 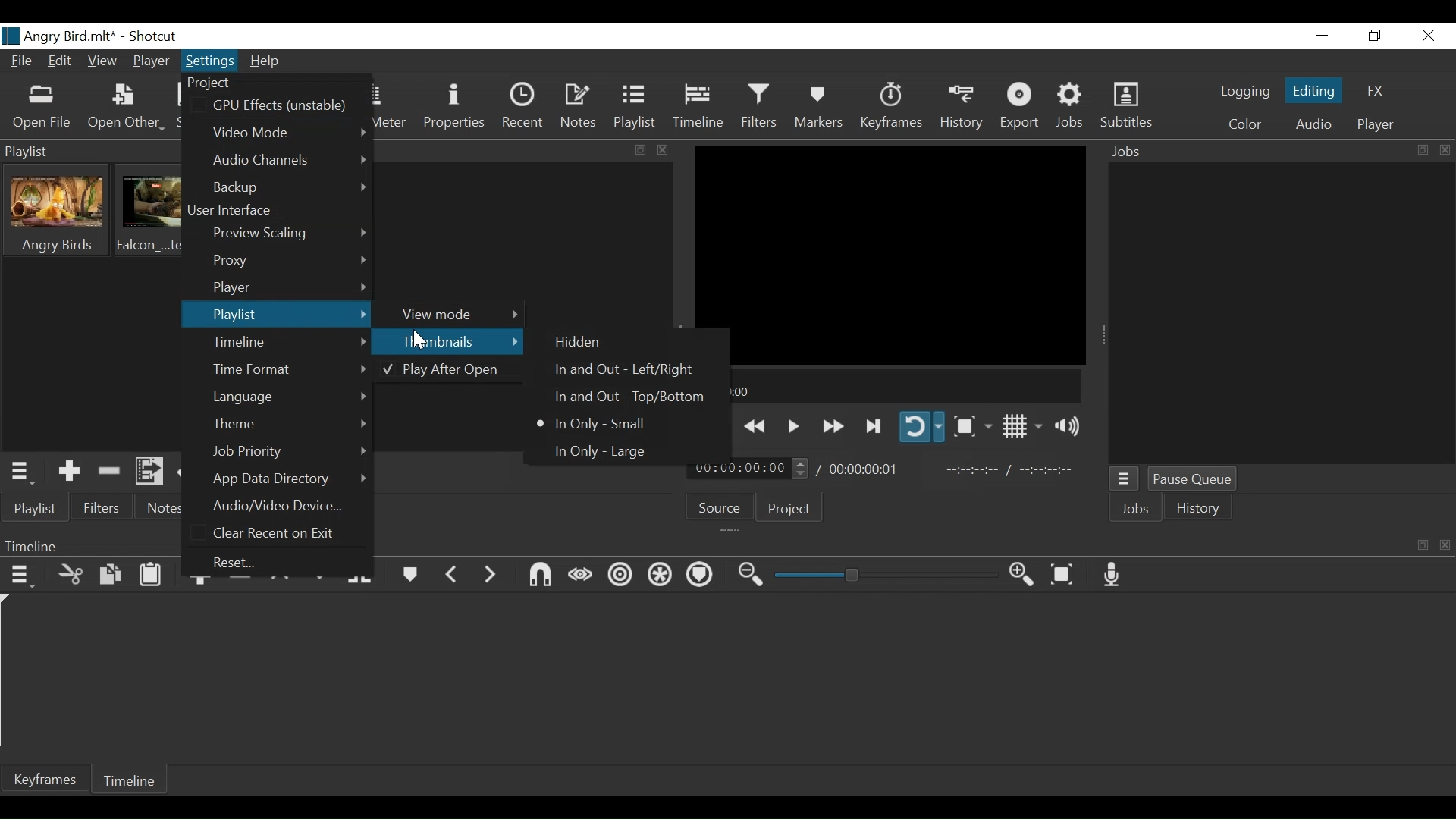 What do you see at coordinates (288, 262) in the screenshot?
I see `Proxy` at bounding box center [288, 262].